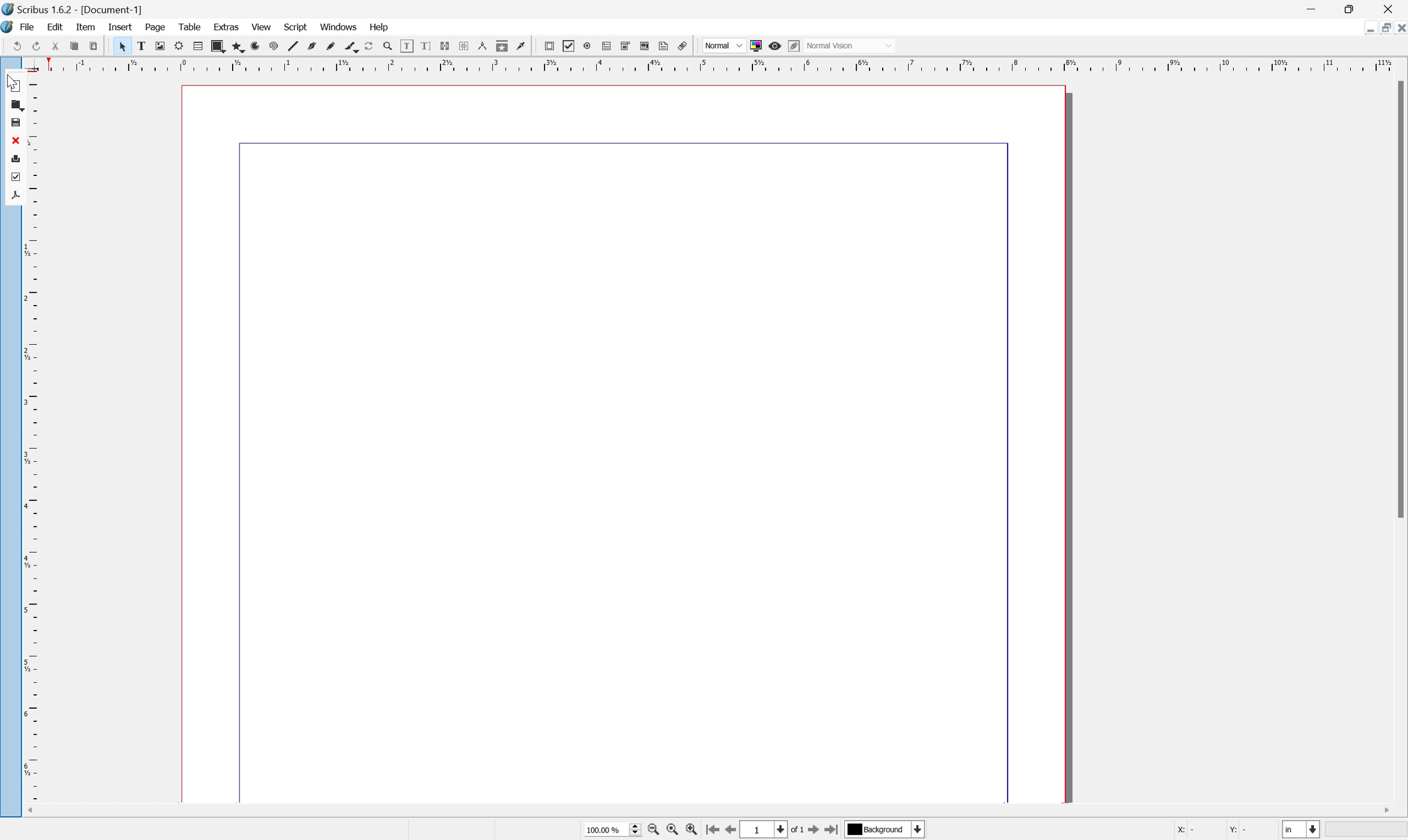 This screenshot has height=840, width=1408. I want to click on save as pdf, so click(14, 195).